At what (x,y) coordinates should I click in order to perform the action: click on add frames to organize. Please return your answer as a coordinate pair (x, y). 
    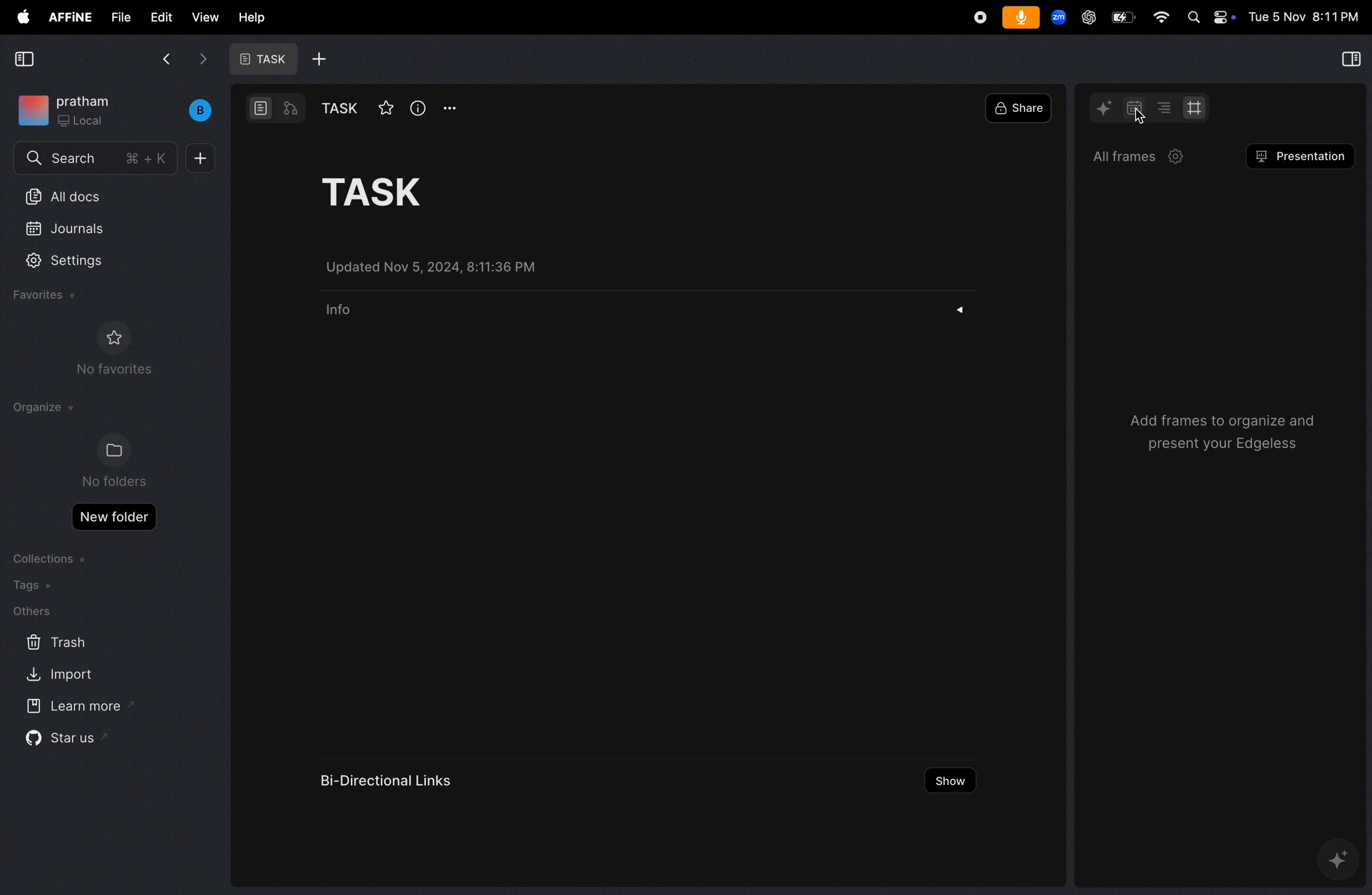
    Looking at the image, I should click on (1215, 435).